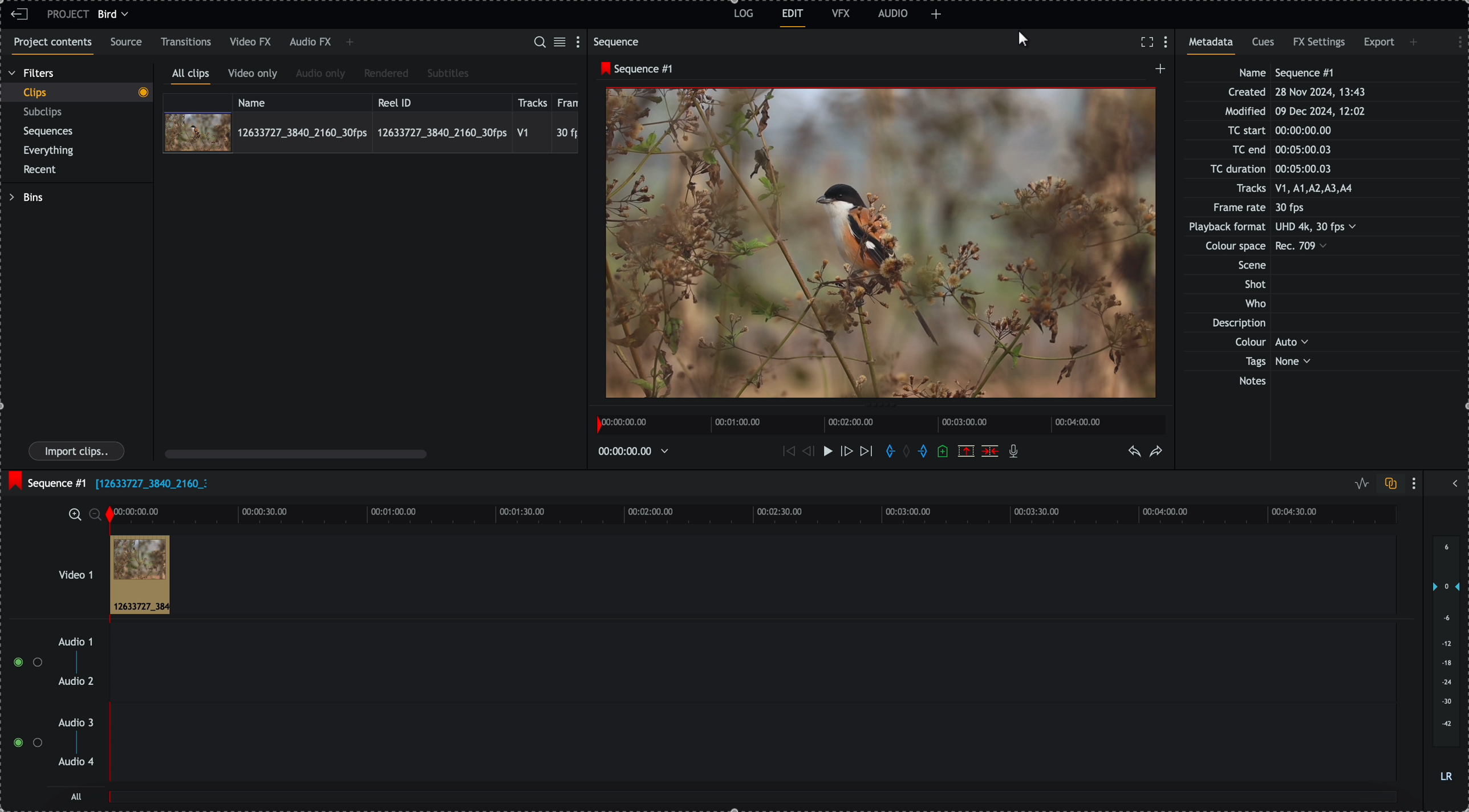 The image size is (1469, 812). I want to click on timeline, so click(751, 513).